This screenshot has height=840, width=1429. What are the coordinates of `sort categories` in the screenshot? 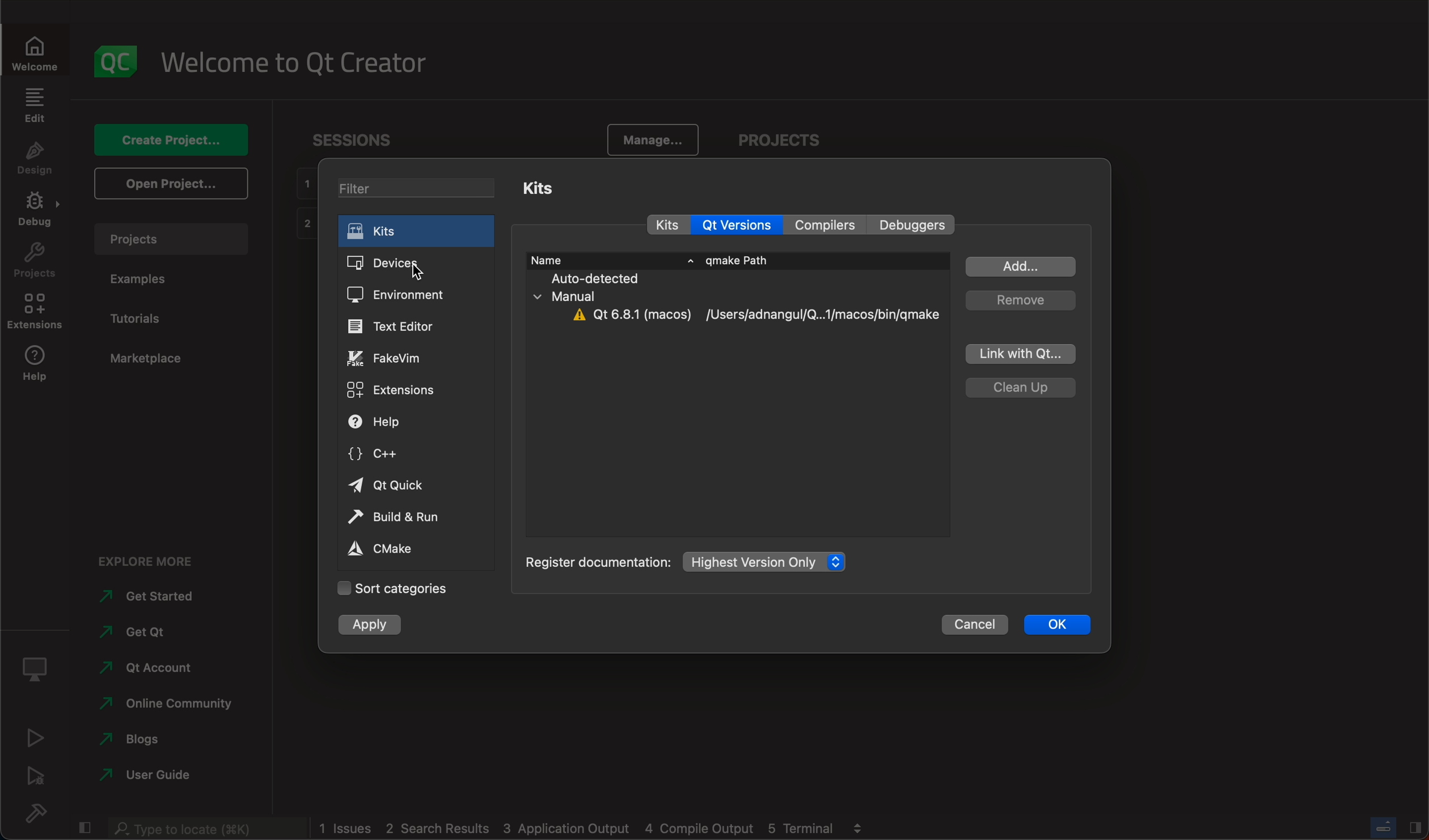 It's located at (391, 589).